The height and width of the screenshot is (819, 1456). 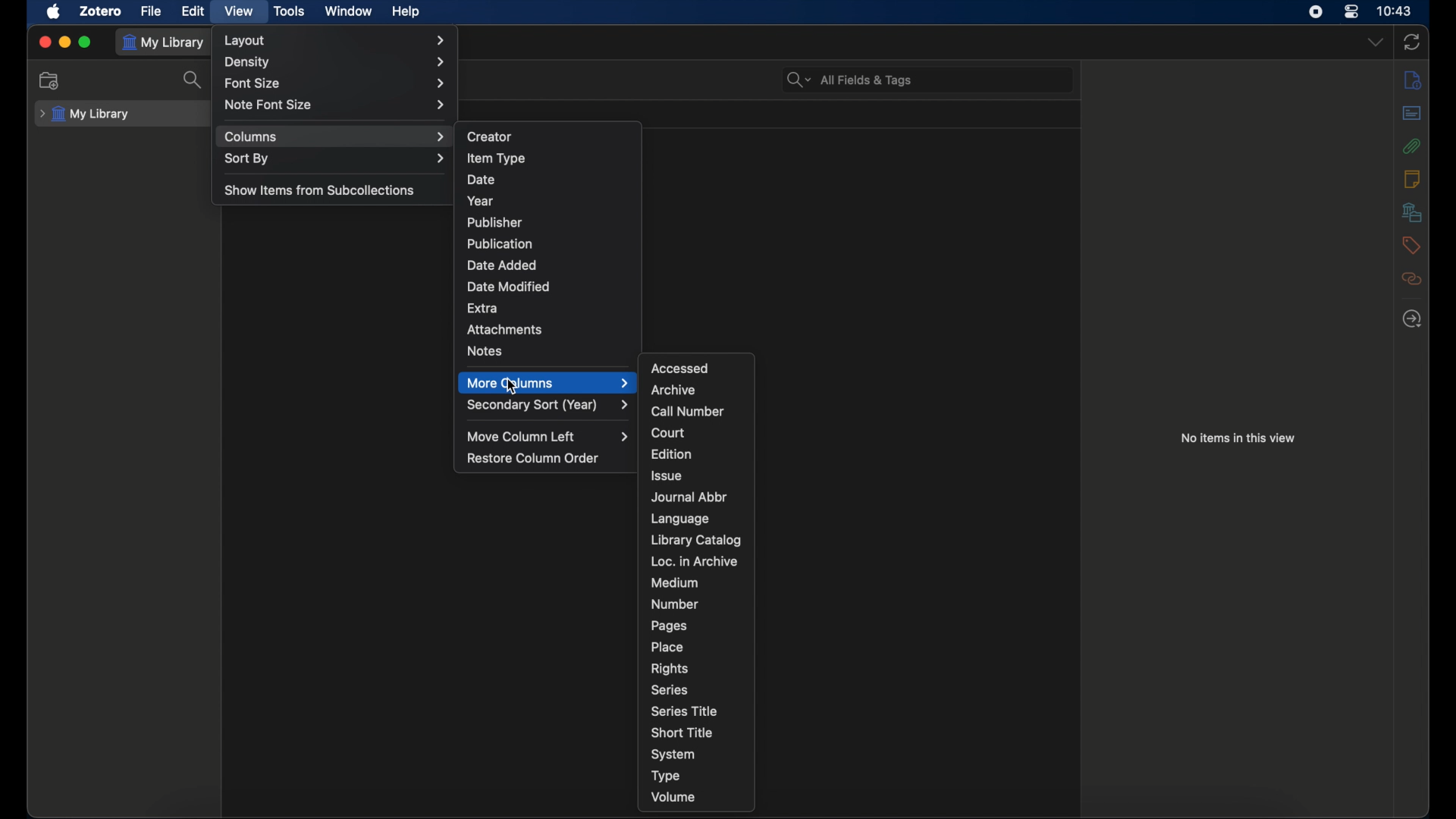 I want to click on minimize, so click(x=65, y=42).